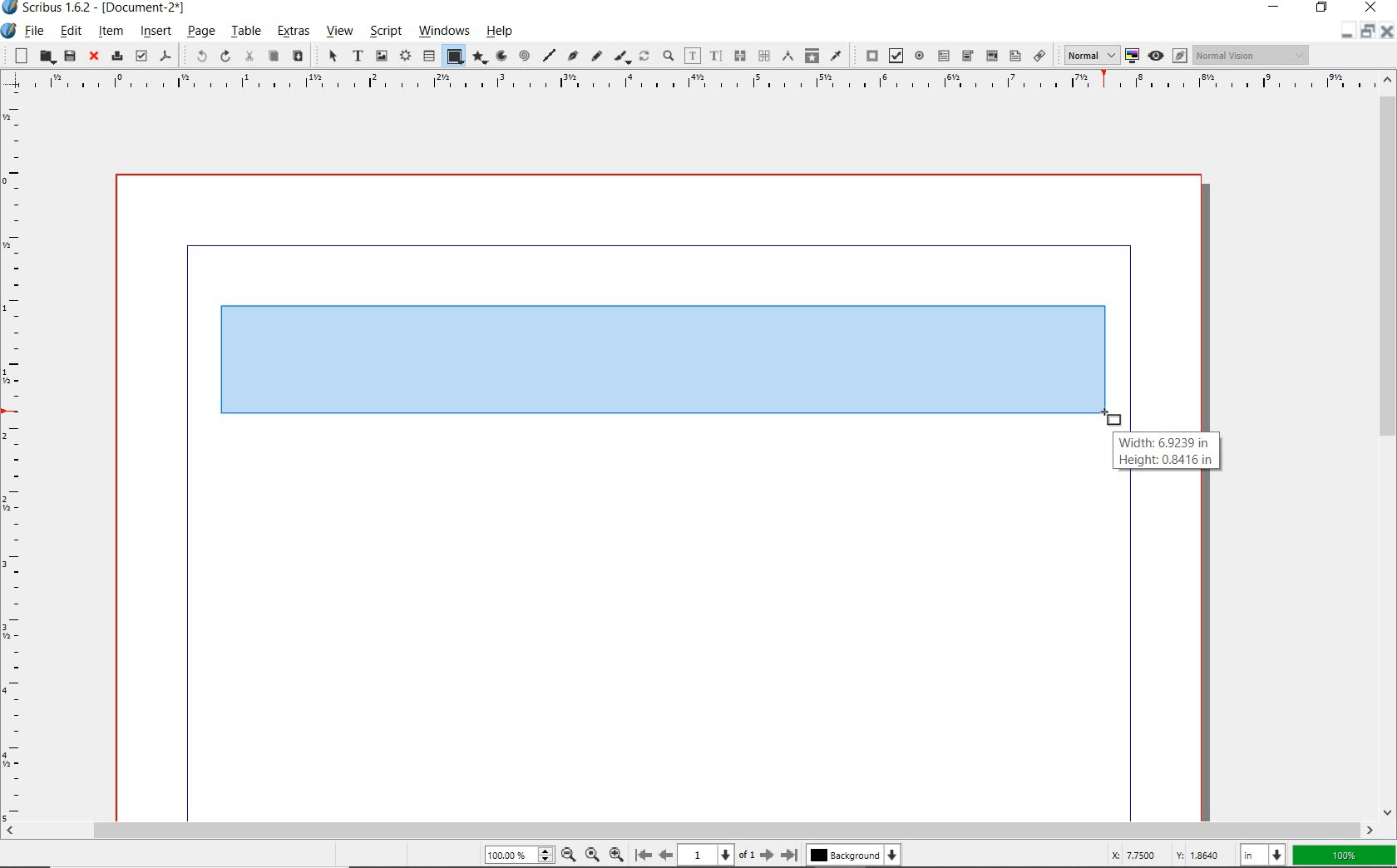  Describe the element at coordinates (574, 57) in the screenshot. I see `Bezier curve` at that location.